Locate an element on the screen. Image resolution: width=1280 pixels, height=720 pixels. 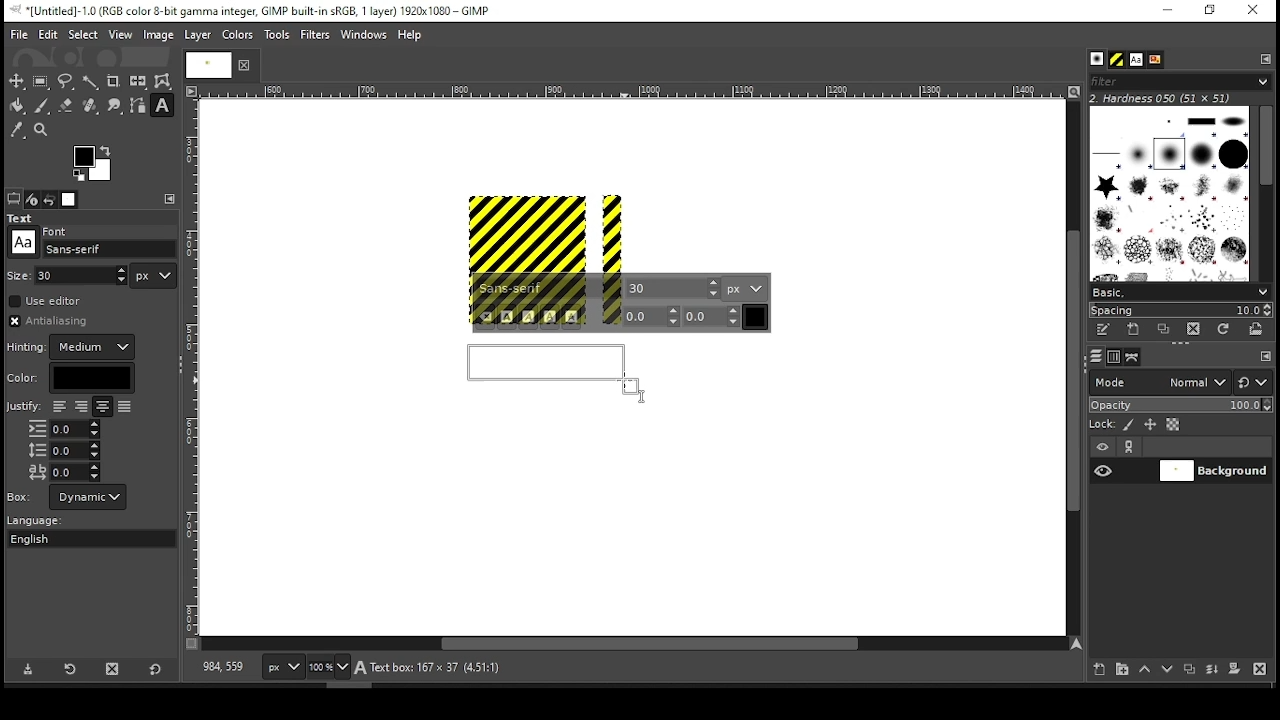
 is located at coordinates (193, 367).